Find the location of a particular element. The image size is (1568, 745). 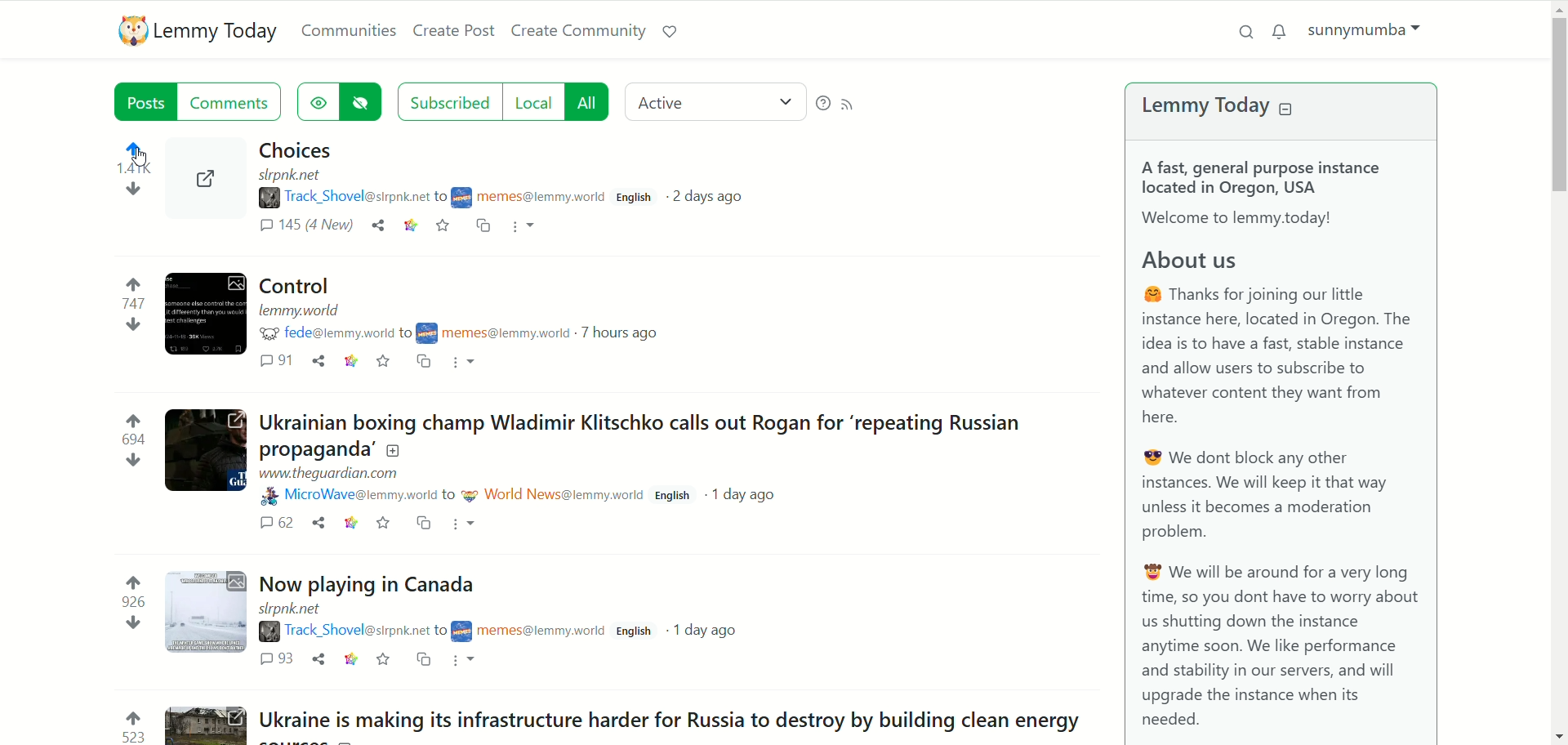

more is located at coordinates (526, 228).